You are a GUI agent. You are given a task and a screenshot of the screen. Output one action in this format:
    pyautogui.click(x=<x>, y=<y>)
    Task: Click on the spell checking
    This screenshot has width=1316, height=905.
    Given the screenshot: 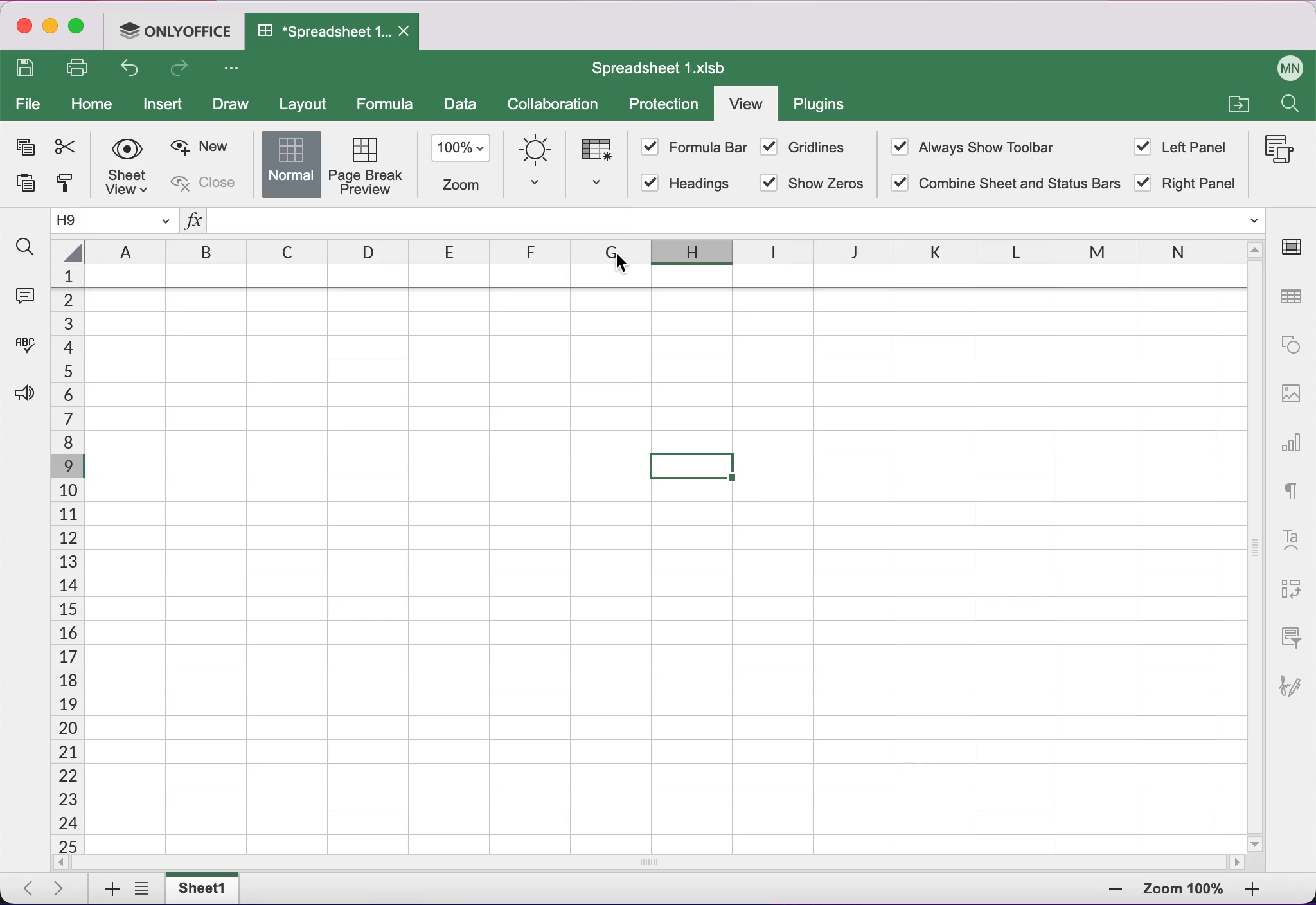 What is the action you would take?
    pyautogui.click(x=29, y=341)
    